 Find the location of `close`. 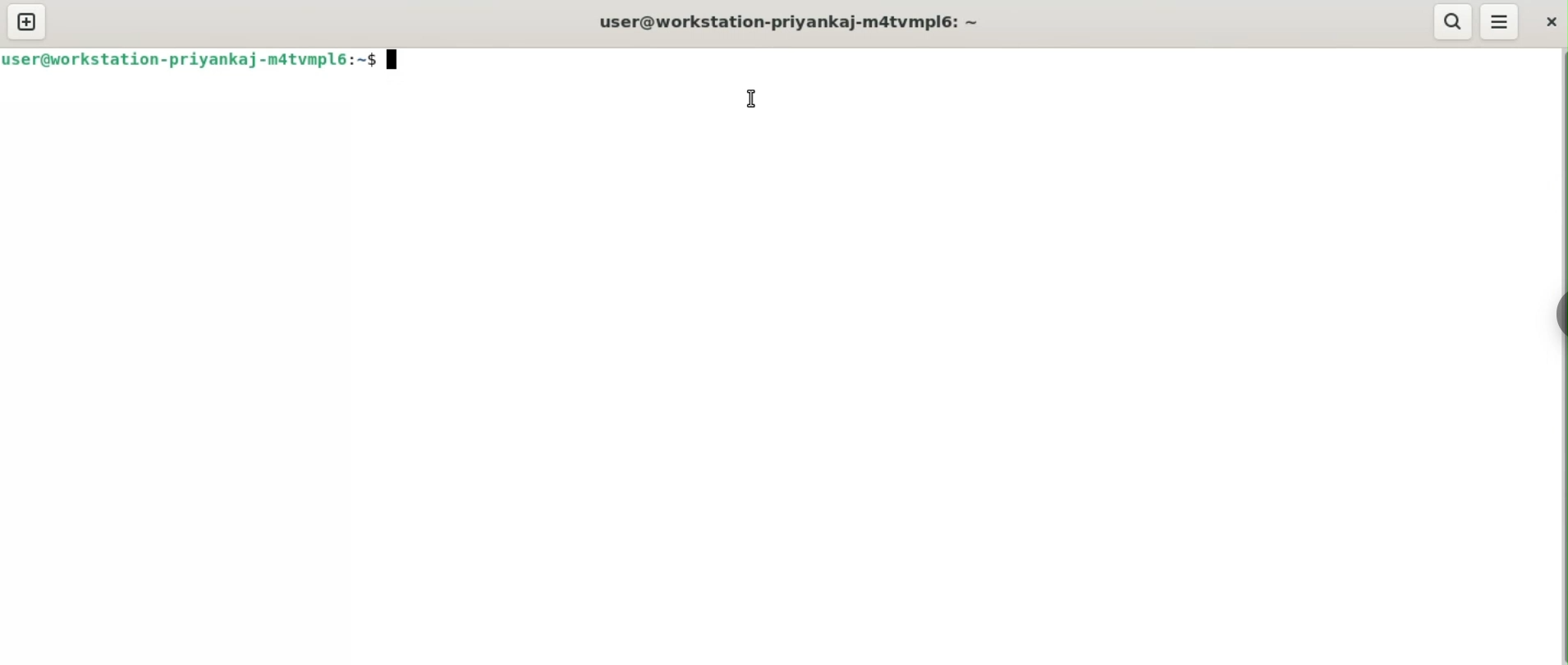

close is located at coordinates (1548, 22).